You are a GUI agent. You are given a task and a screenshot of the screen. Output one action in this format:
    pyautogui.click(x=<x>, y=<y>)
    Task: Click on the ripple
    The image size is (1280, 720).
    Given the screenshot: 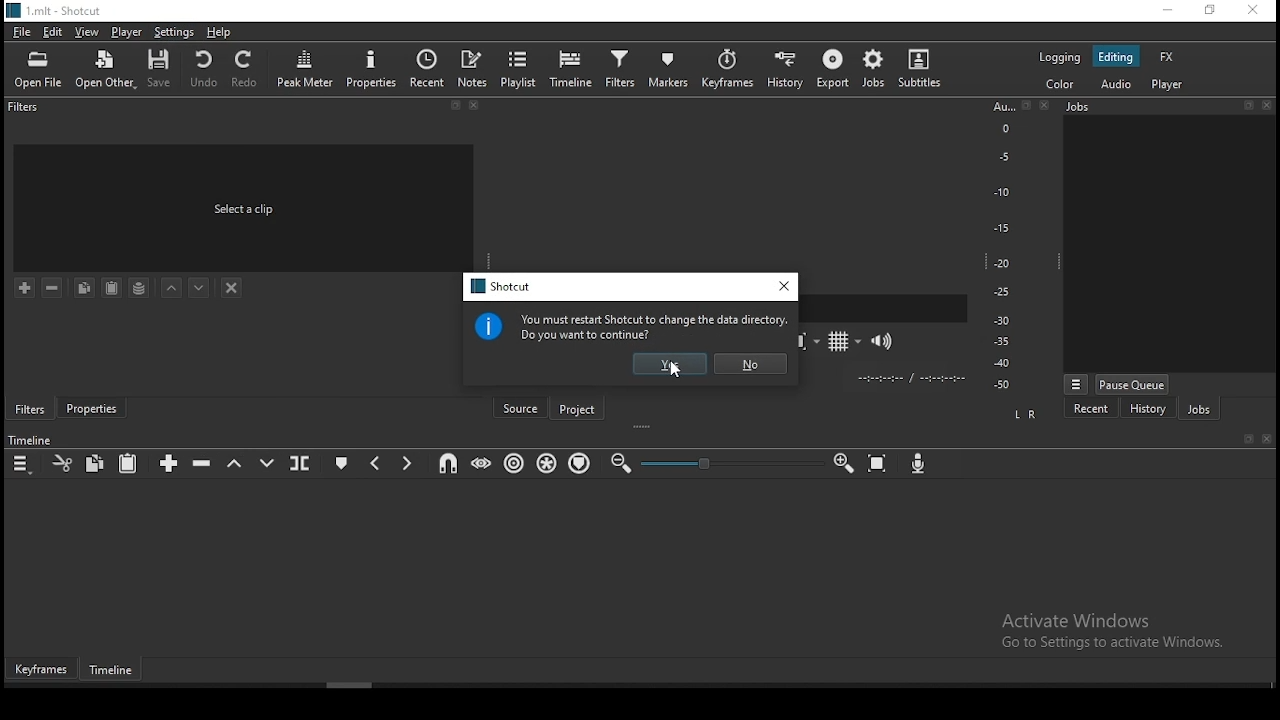 What is the action you would take?
    pyautogui.click(x=512, y=464)
    